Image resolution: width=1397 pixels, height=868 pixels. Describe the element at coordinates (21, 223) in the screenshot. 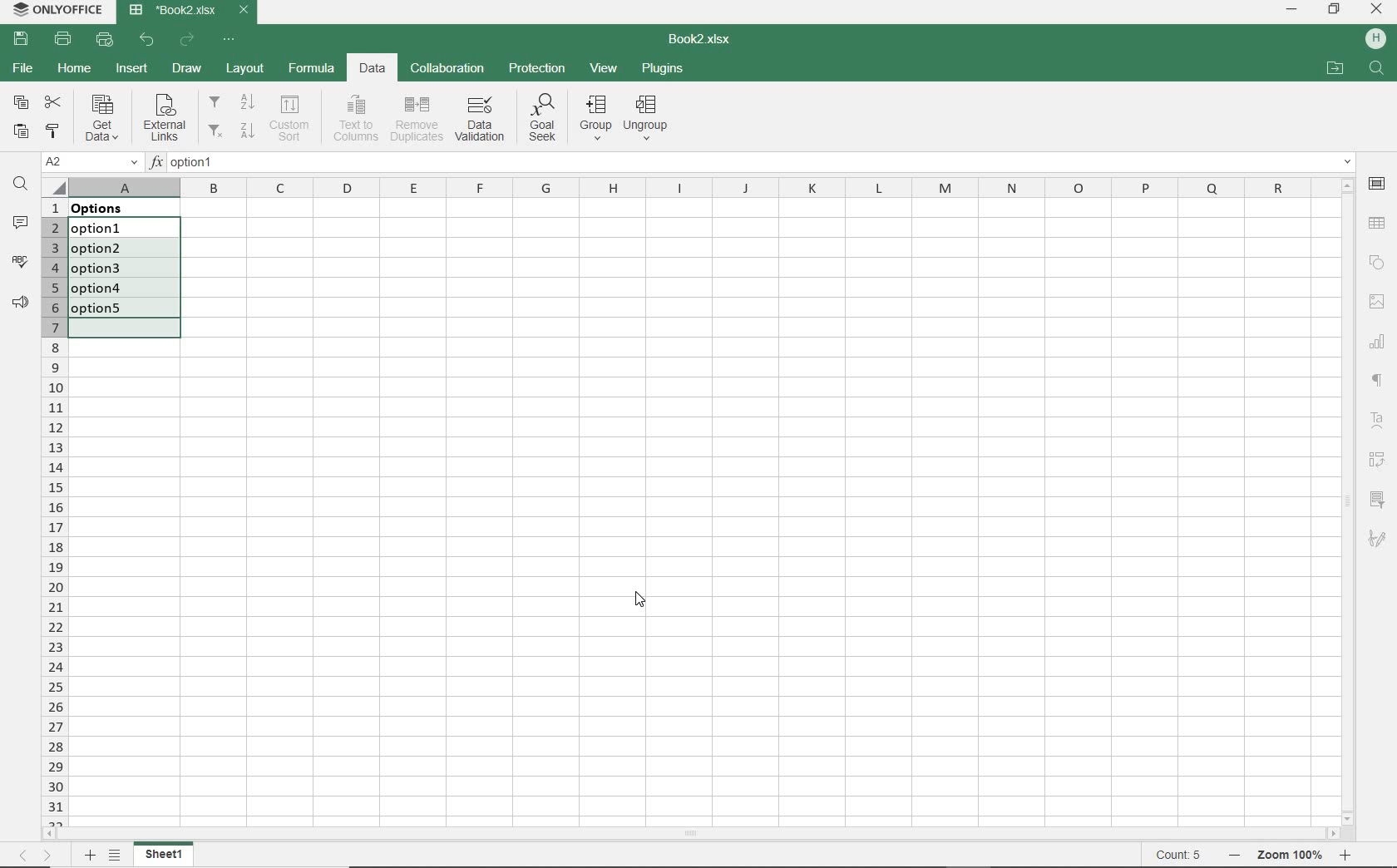

I see `COMMENTS` at that location.